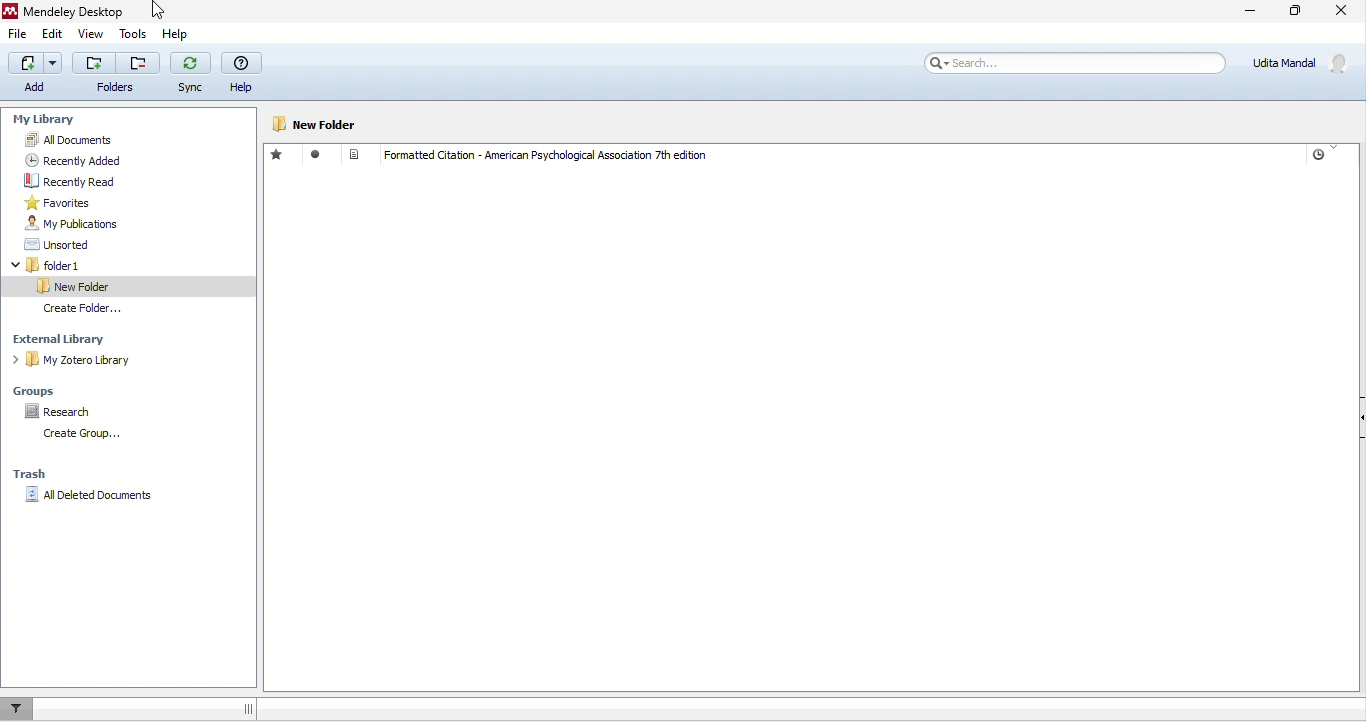 The height and width of the screenshot is (722, 1366). I want to click on view, so click(90, 32).